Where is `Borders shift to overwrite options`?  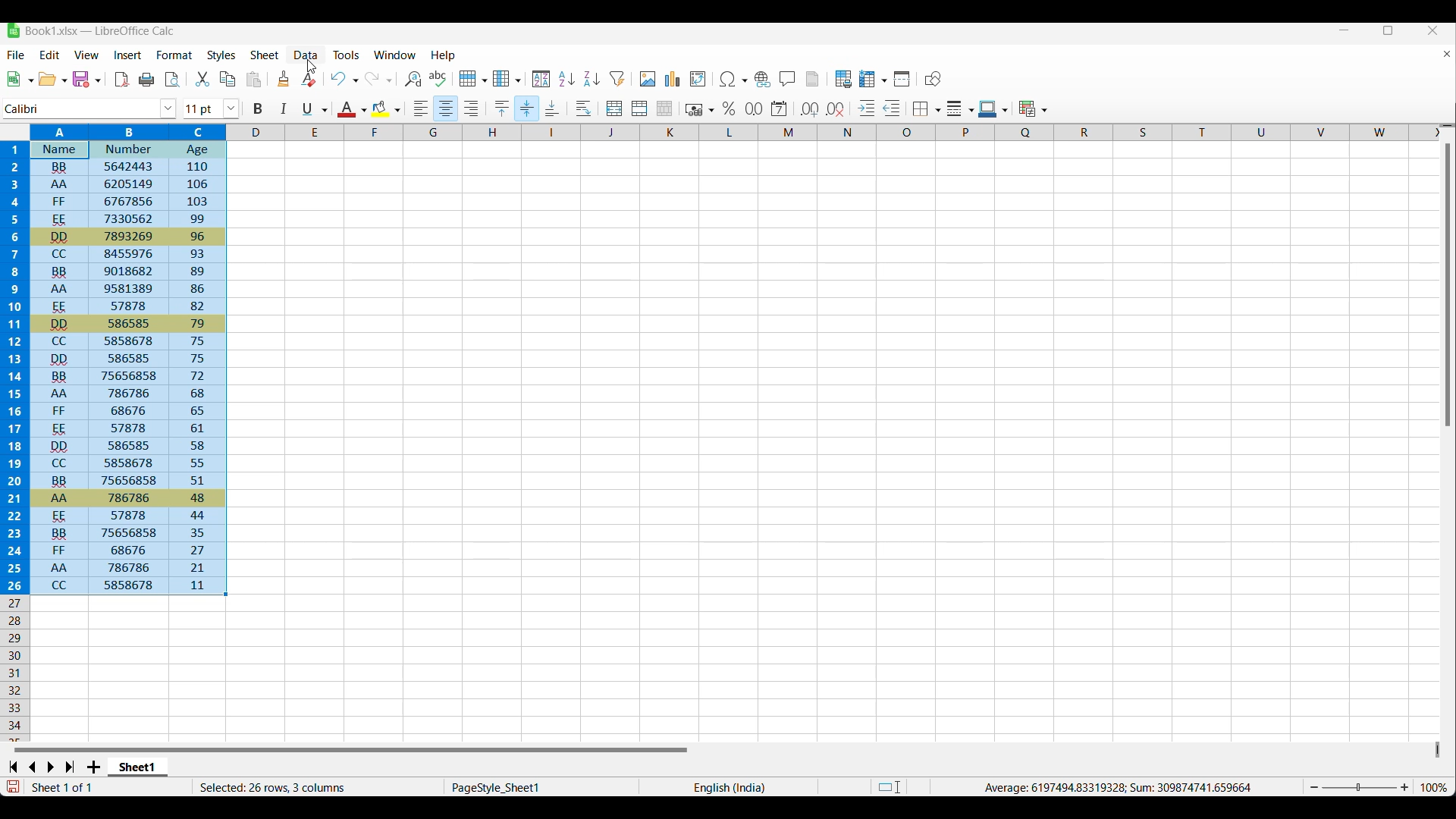 Borders shift to overwrite options is located at coordinates (927, 110).